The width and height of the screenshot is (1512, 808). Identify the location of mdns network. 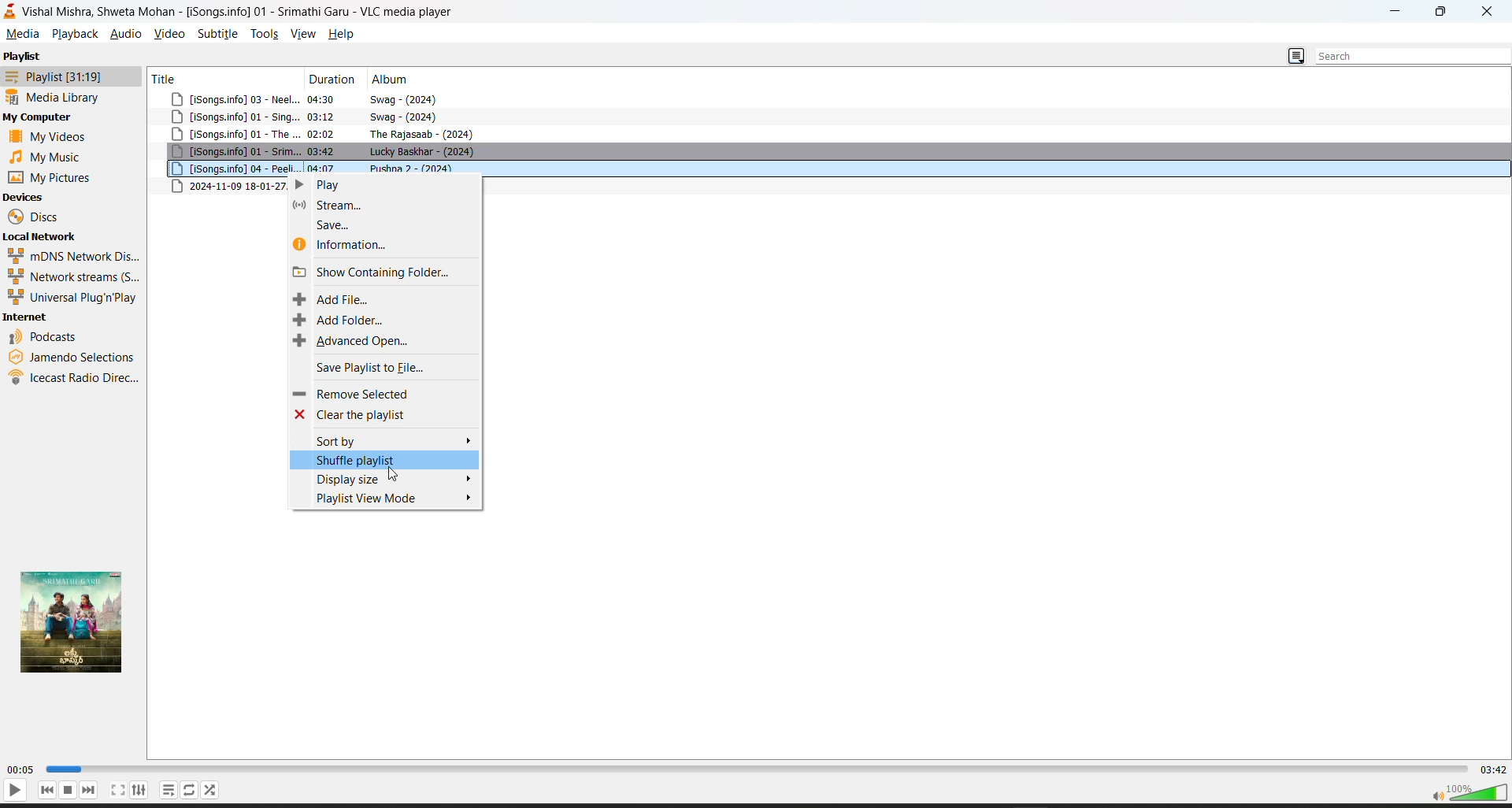
(70, 256).